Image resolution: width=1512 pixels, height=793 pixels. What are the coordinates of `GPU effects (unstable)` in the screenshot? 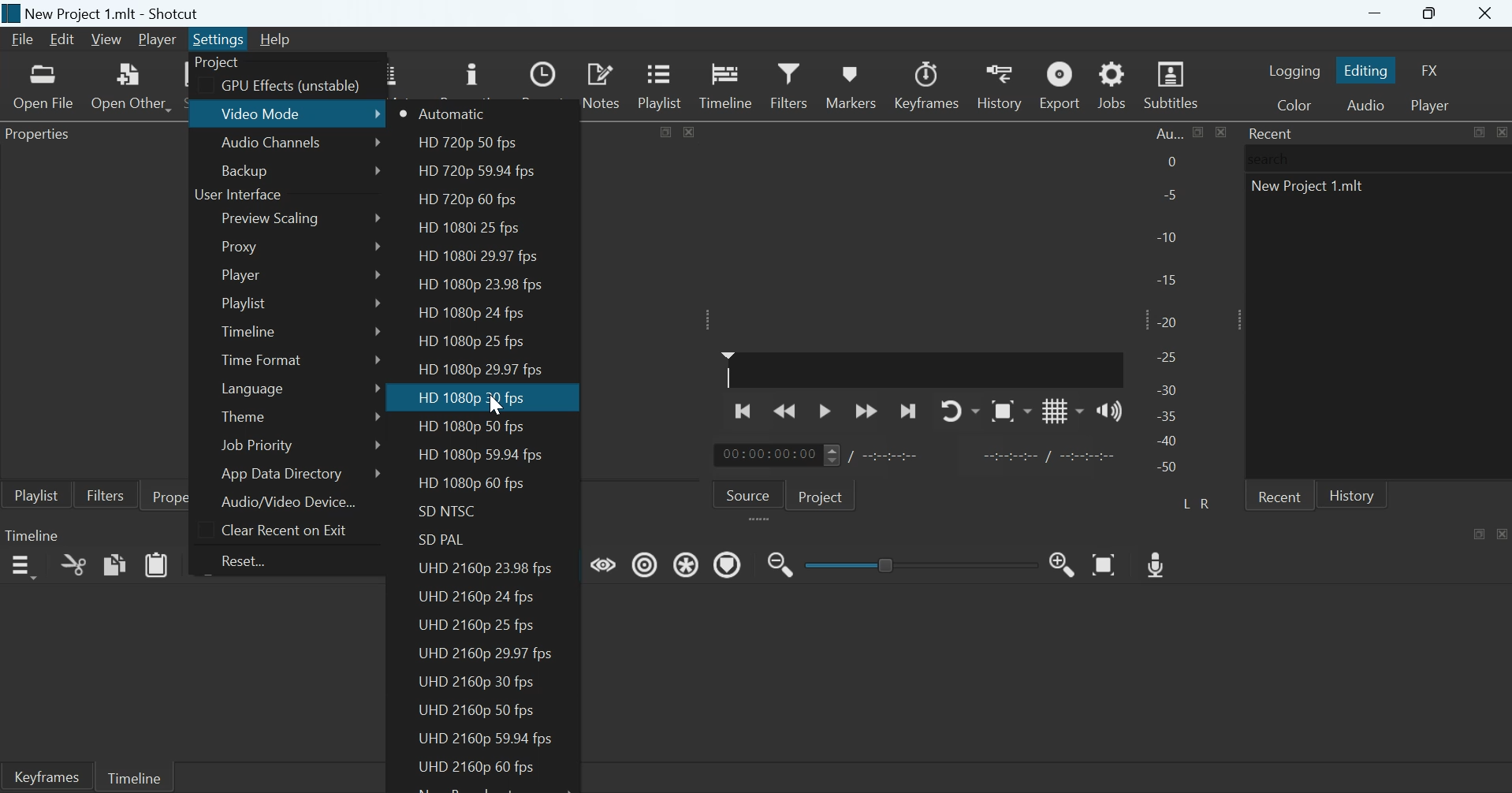 It's located at (290, 87).